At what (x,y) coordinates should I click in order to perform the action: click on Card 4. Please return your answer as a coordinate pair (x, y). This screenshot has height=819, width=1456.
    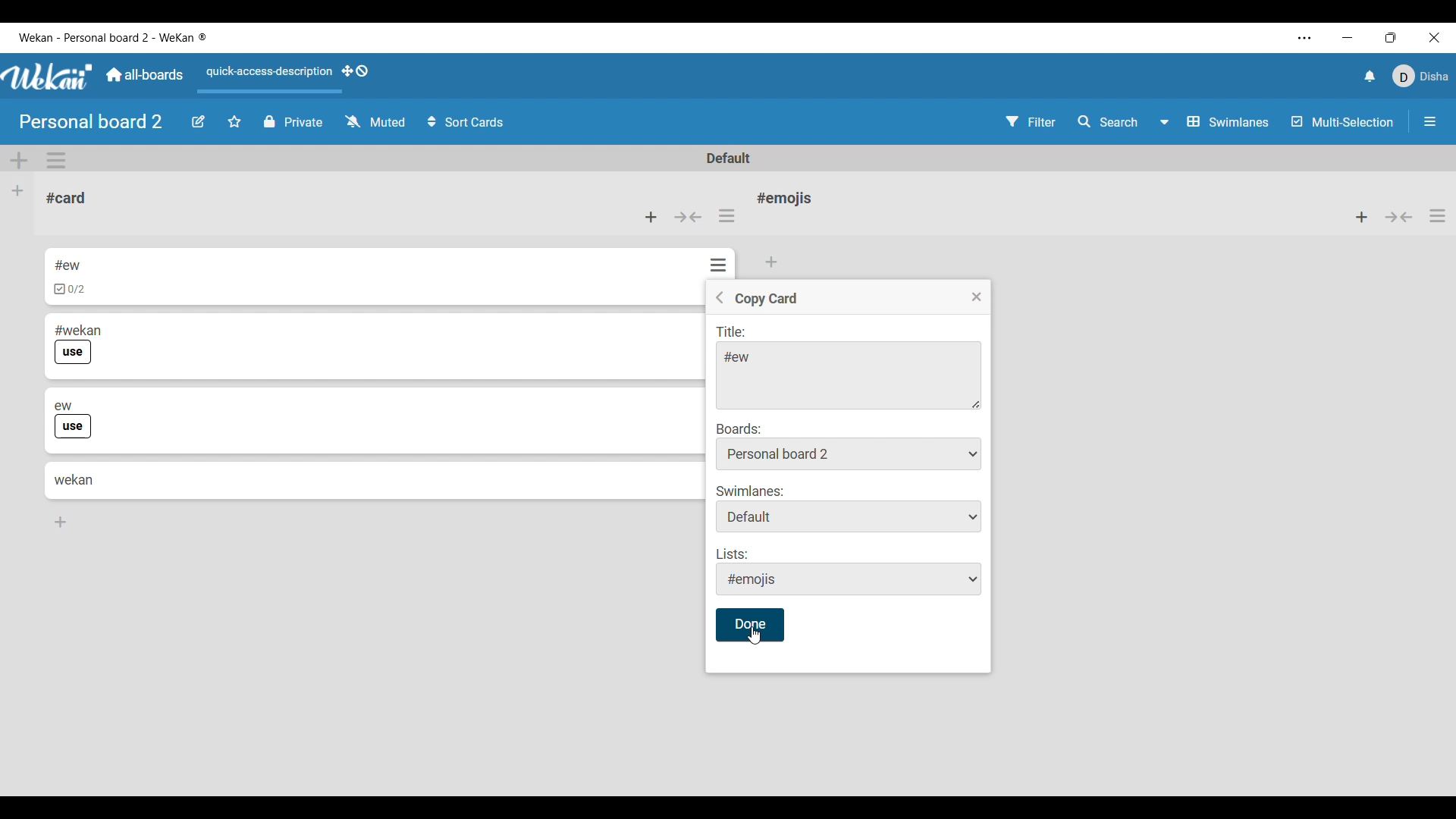
    Looking at the image, I should click on (74, 479).